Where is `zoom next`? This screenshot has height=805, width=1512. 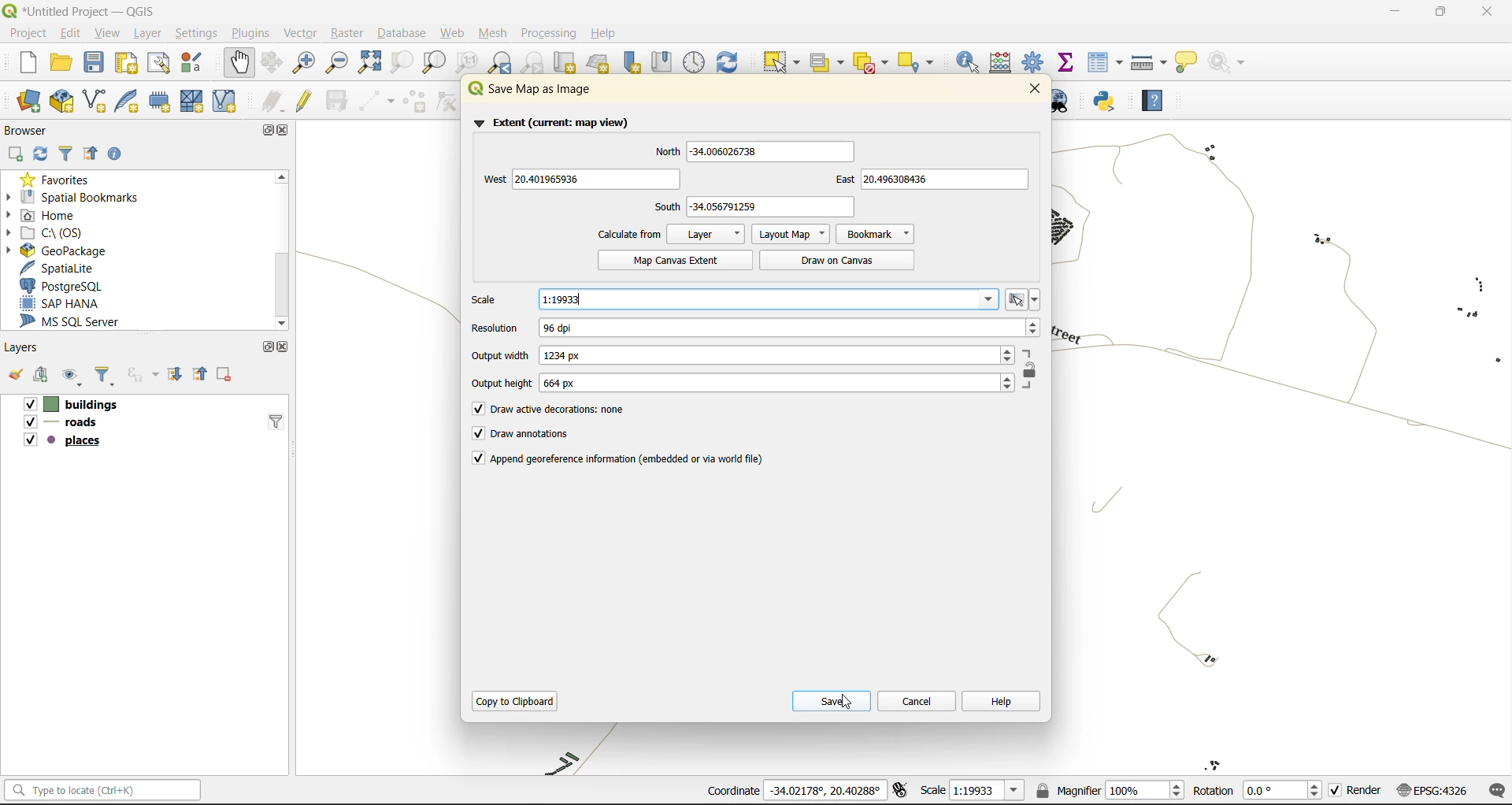
zoom next is located at coordinates (533, 62).